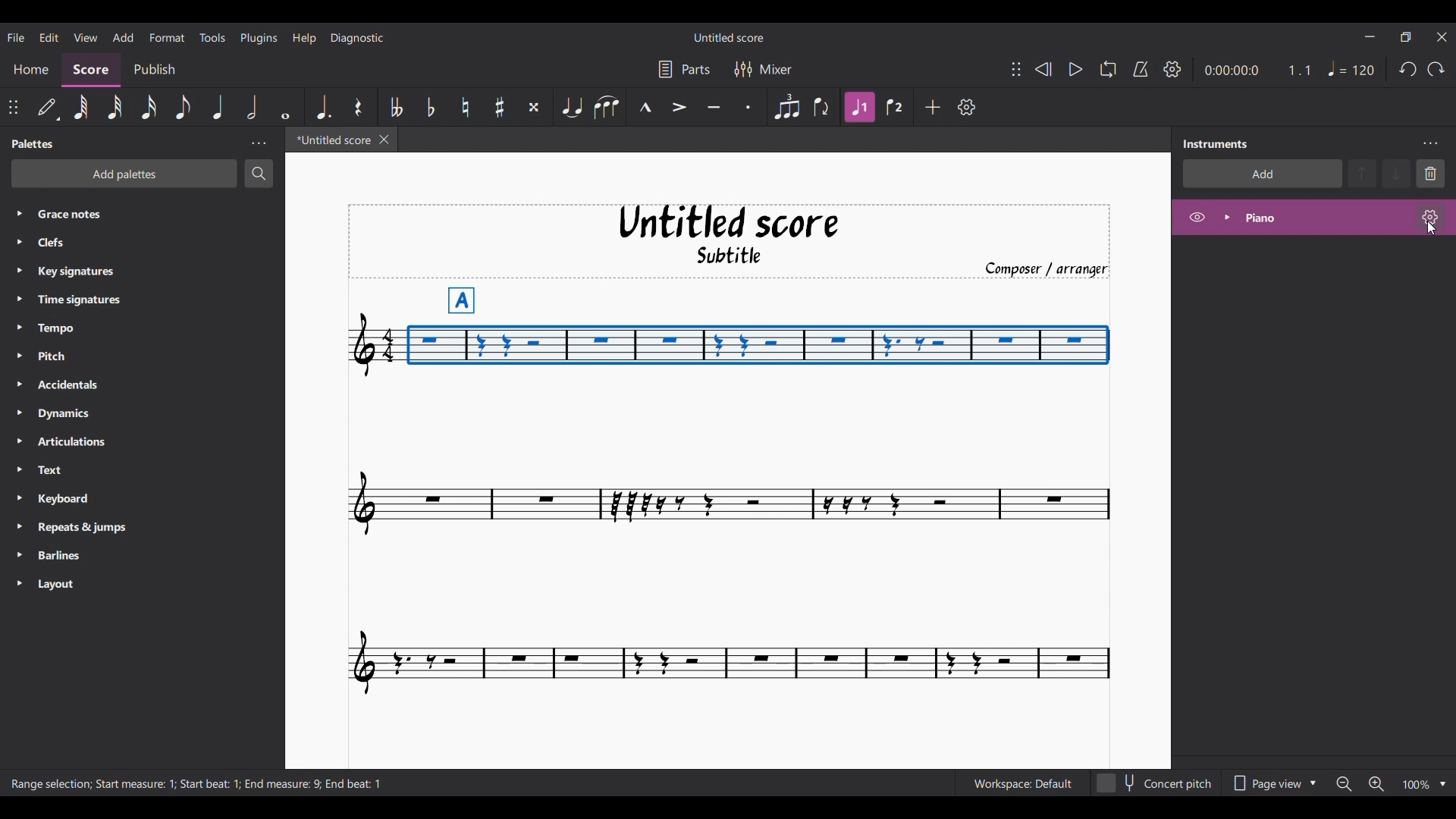 This screenshot has height=819, width=1456. Describe the element at coordinates (1321, 218) in the screenshot. I see `Current instrument` at that location.